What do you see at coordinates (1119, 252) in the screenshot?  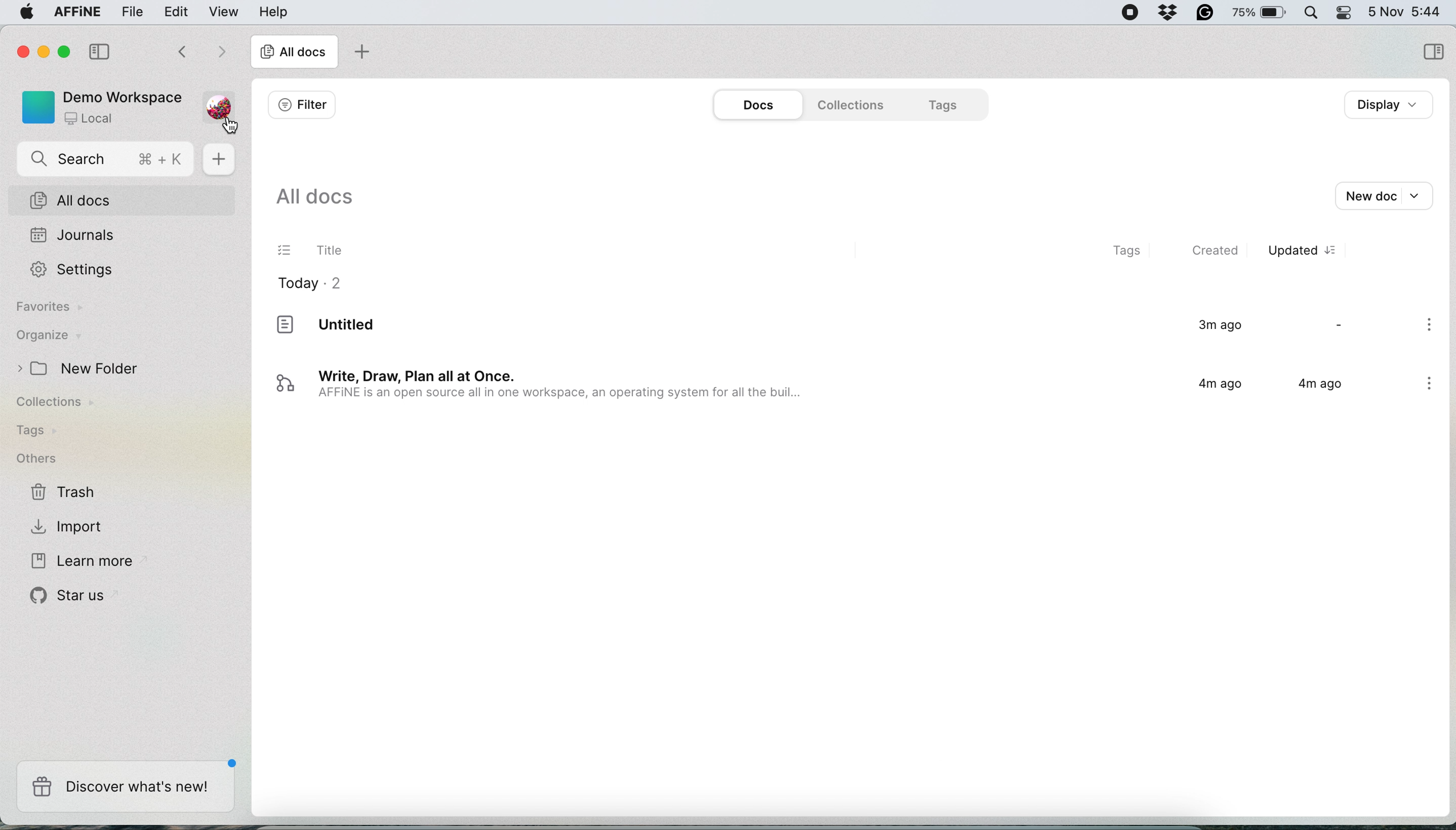 I see `tags` at bounding box center [1119, 252].